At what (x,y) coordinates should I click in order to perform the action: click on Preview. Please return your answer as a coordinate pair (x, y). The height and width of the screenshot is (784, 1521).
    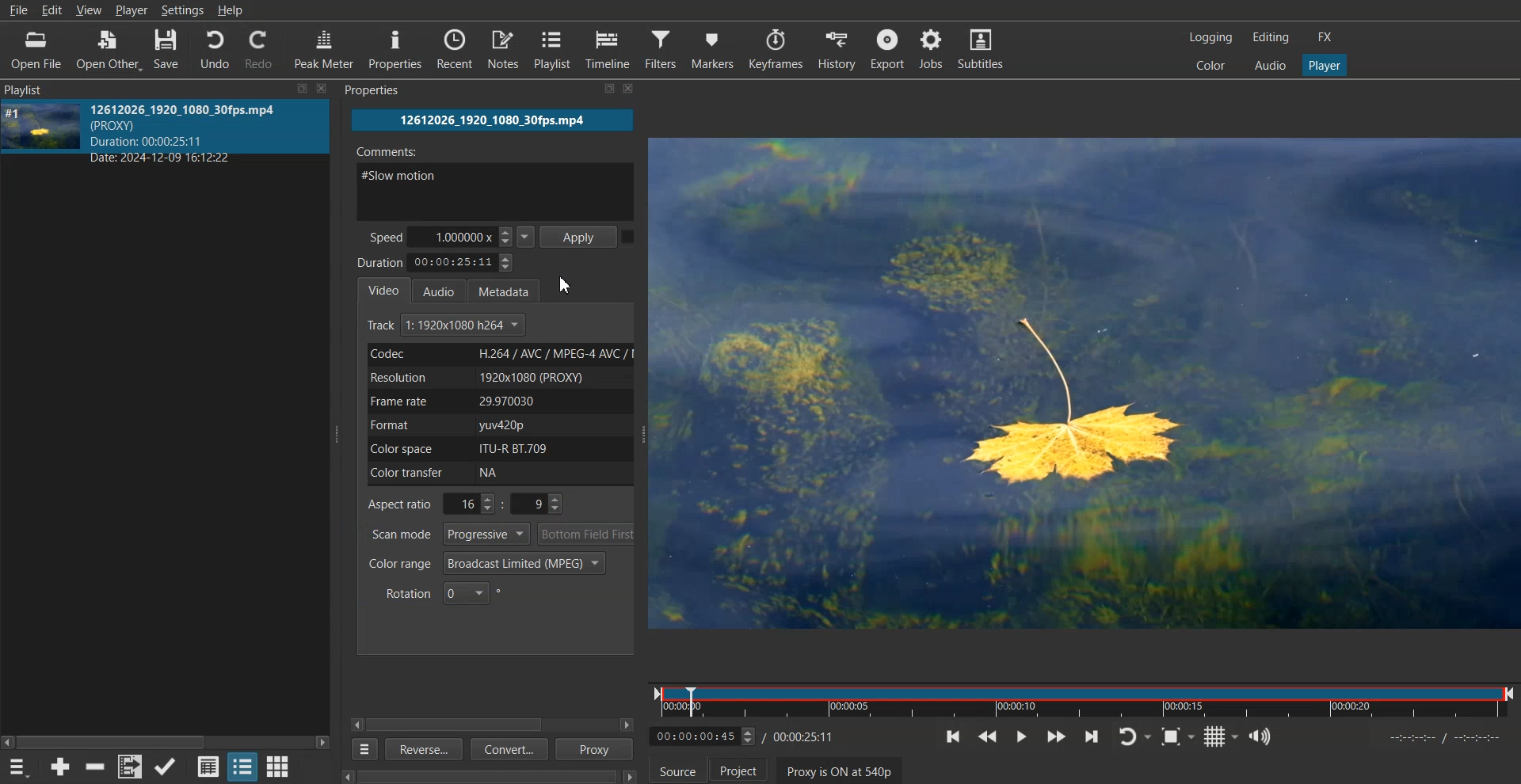
    Looking at the image, I should click on (1088, 384).